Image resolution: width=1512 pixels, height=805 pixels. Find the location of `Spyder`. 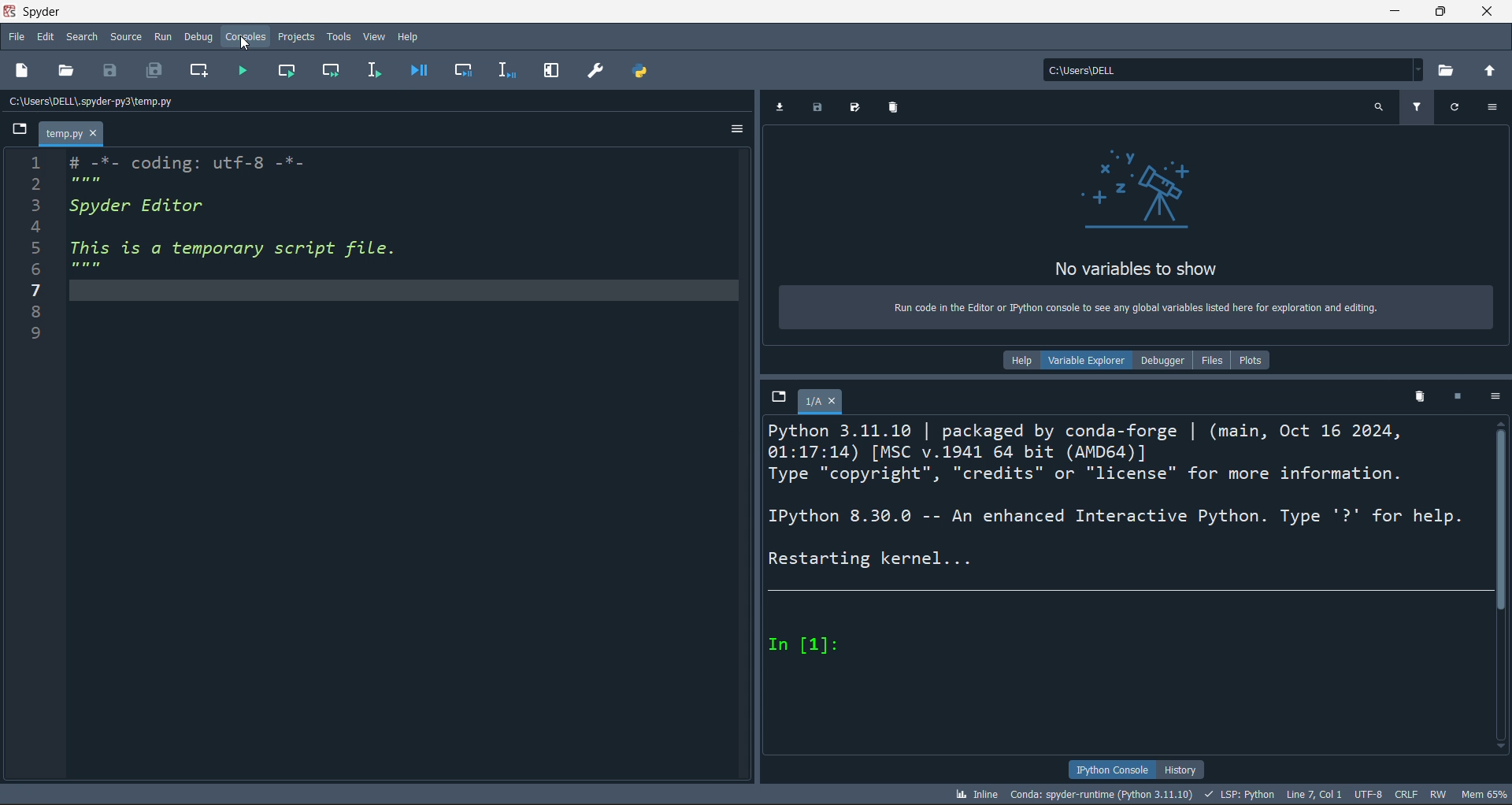

Spyder is located at coordinates (54, 12).